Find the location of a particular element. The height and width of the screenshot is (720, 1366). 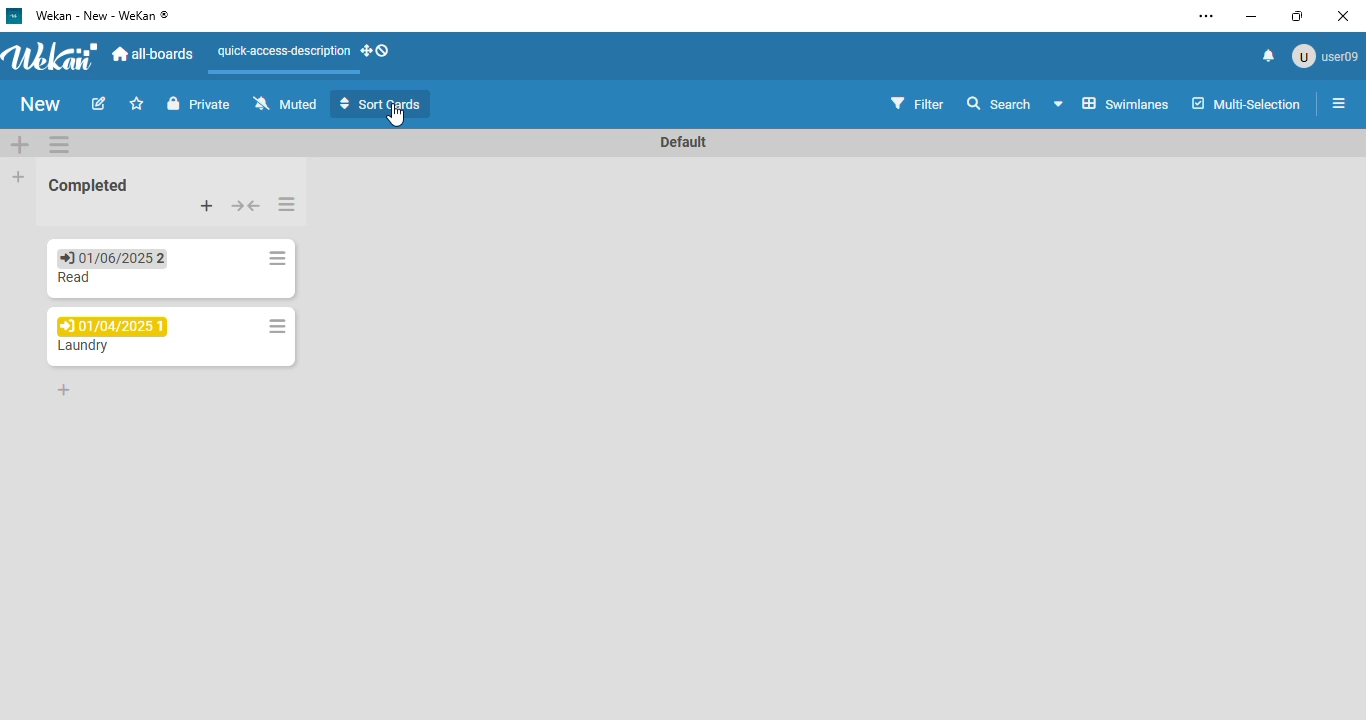

all-boards is located at coordinates (155, 54).